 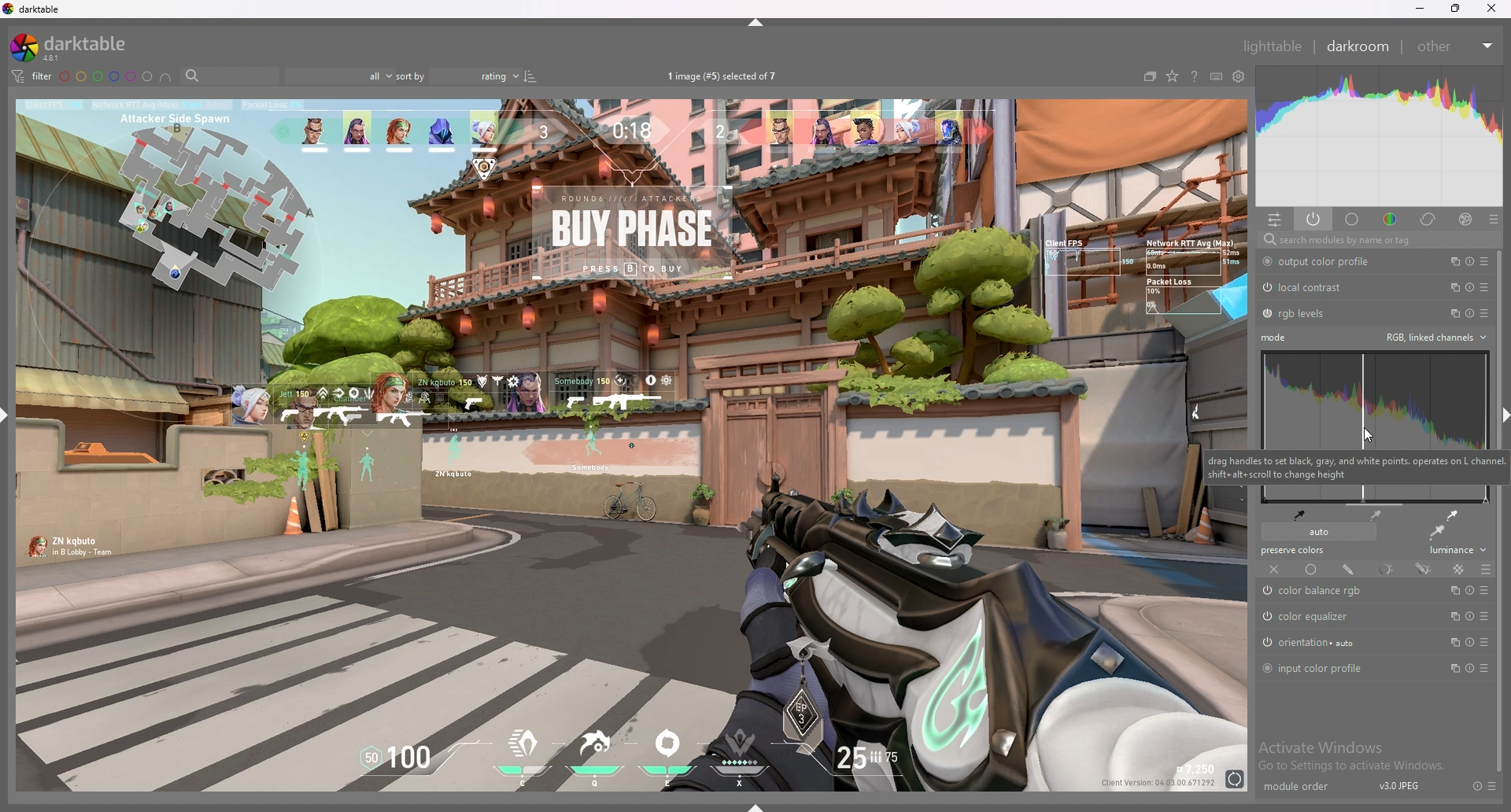 I want to click on presets, so click(x=1484, y=261).